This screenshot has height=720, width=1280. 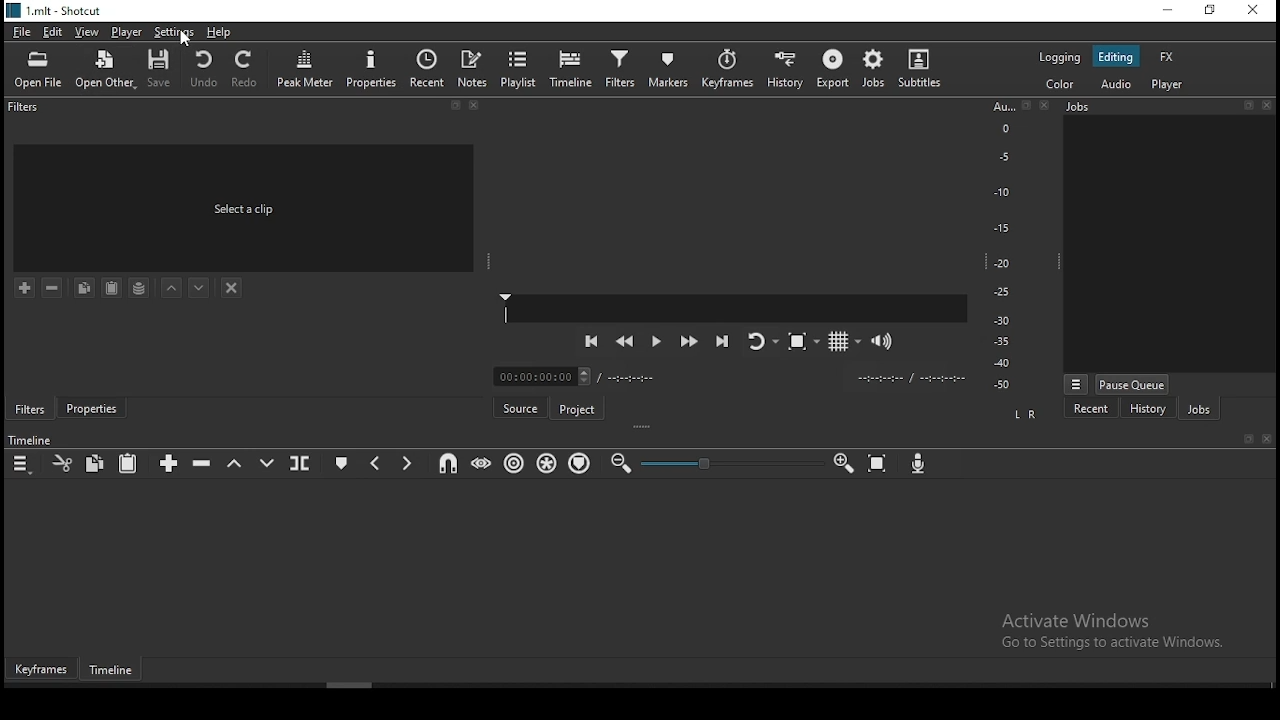 I want to click on playlist, so click(x=521, y=68).